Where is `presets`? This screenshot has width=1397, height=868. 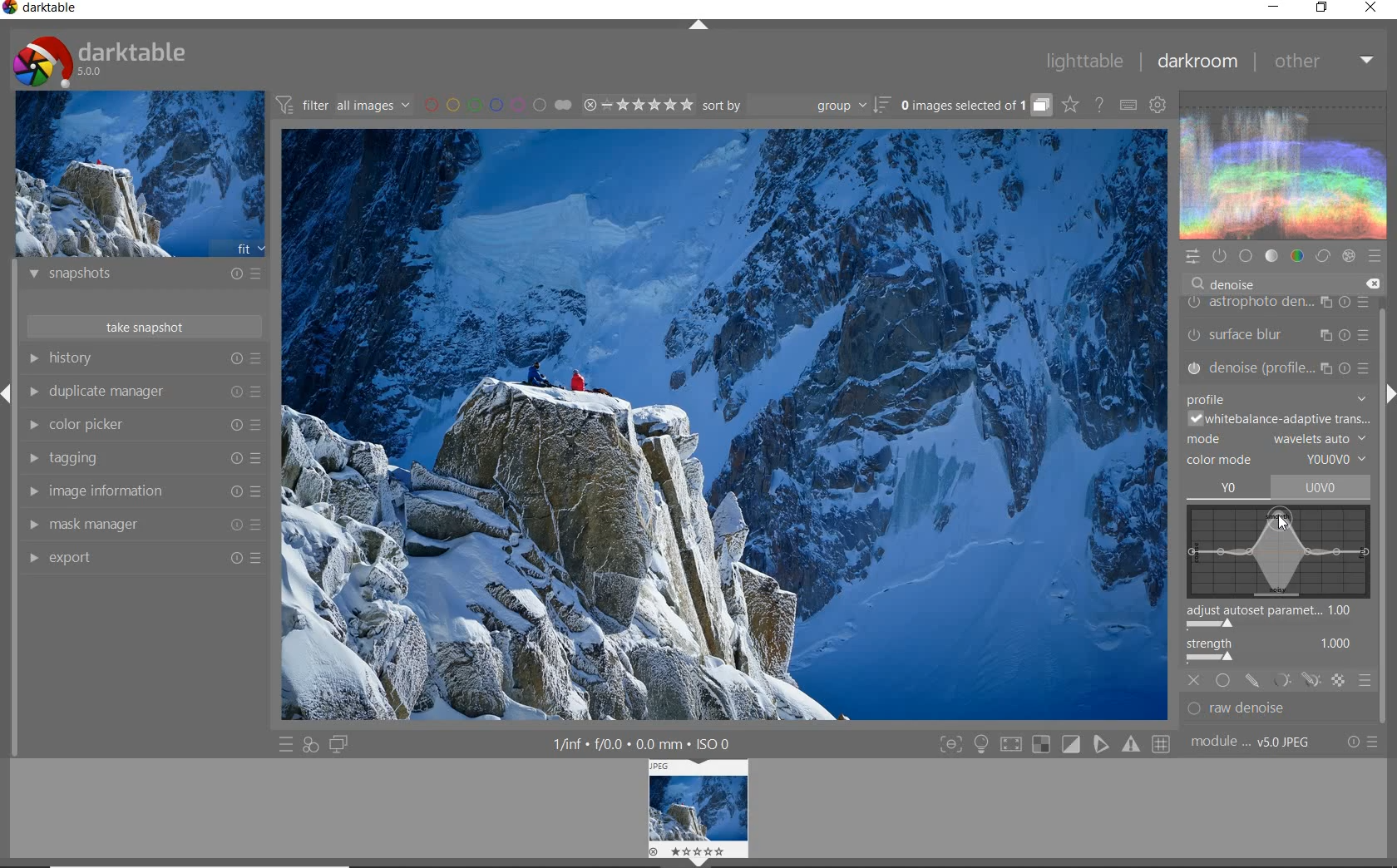 presets is located at coordinates (1375, 253).